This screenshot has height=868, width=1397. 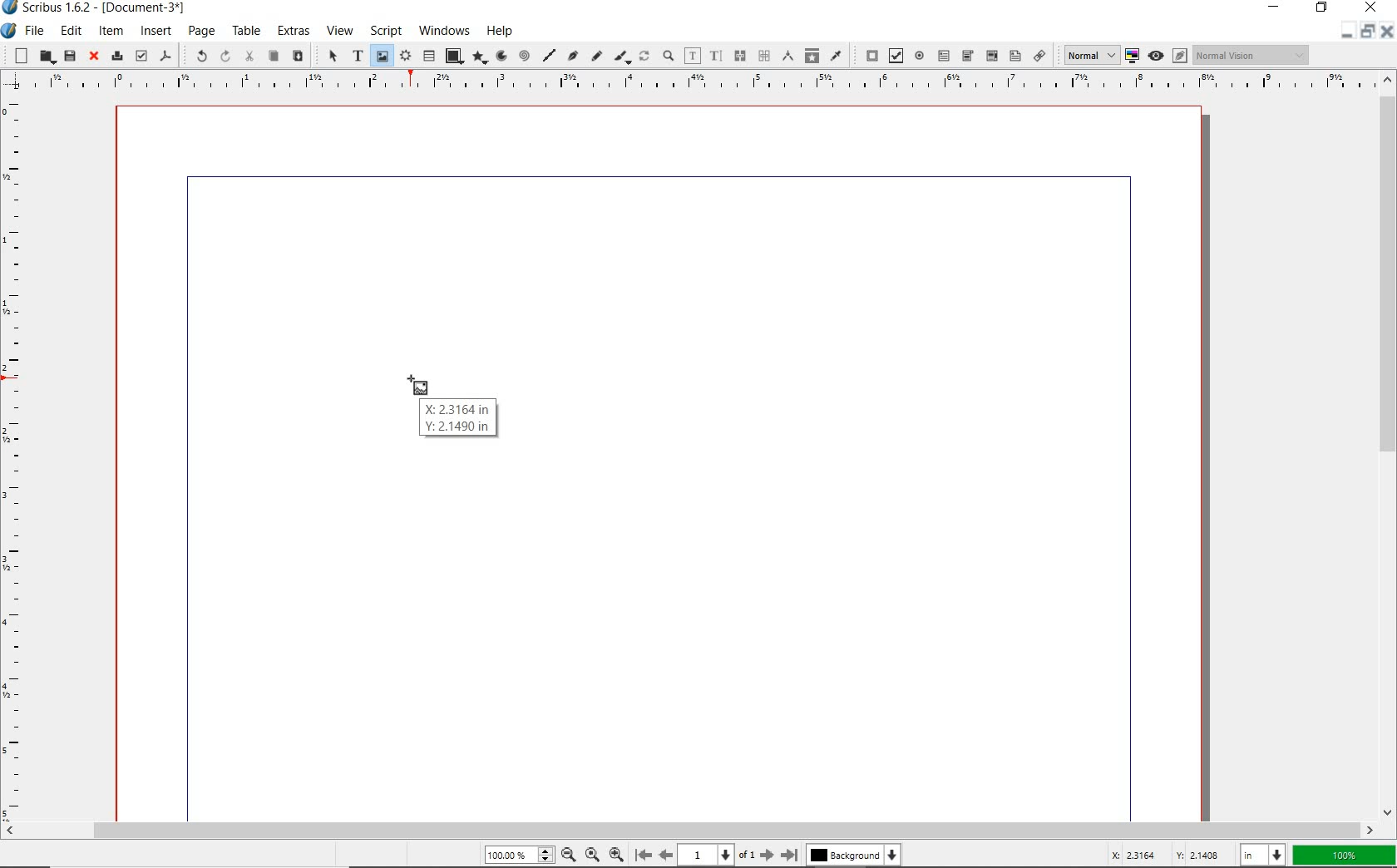 I want to click on save, so click(x=69, y=55).